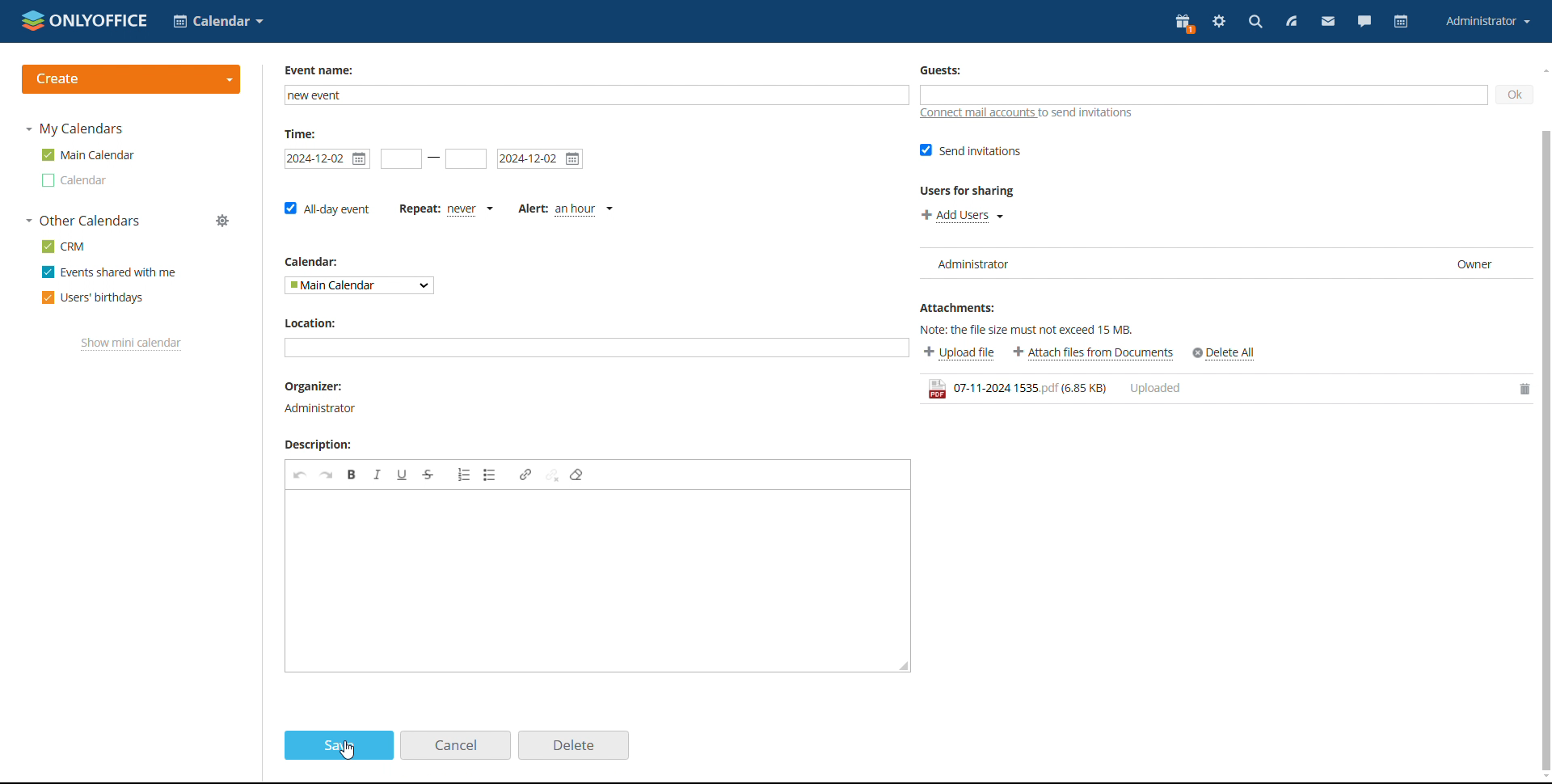  What do you see at coordinates (327, 159) in the screenshot?
I see `start date` at bounding box center [327, 159].